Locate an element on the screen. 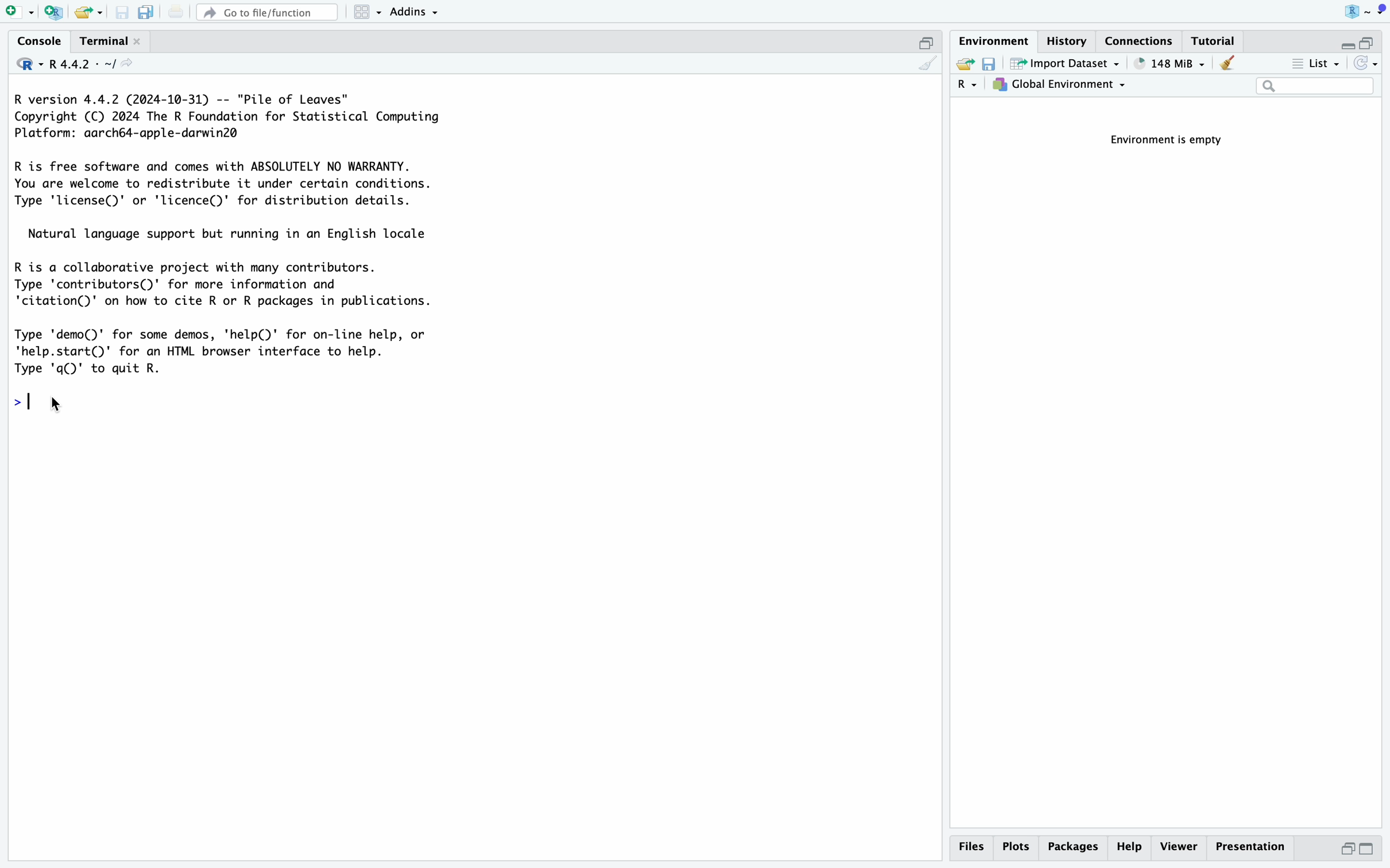 The width and height of the screenshot is (1390, 868). save all open documents is located at coordinates (145, 12).